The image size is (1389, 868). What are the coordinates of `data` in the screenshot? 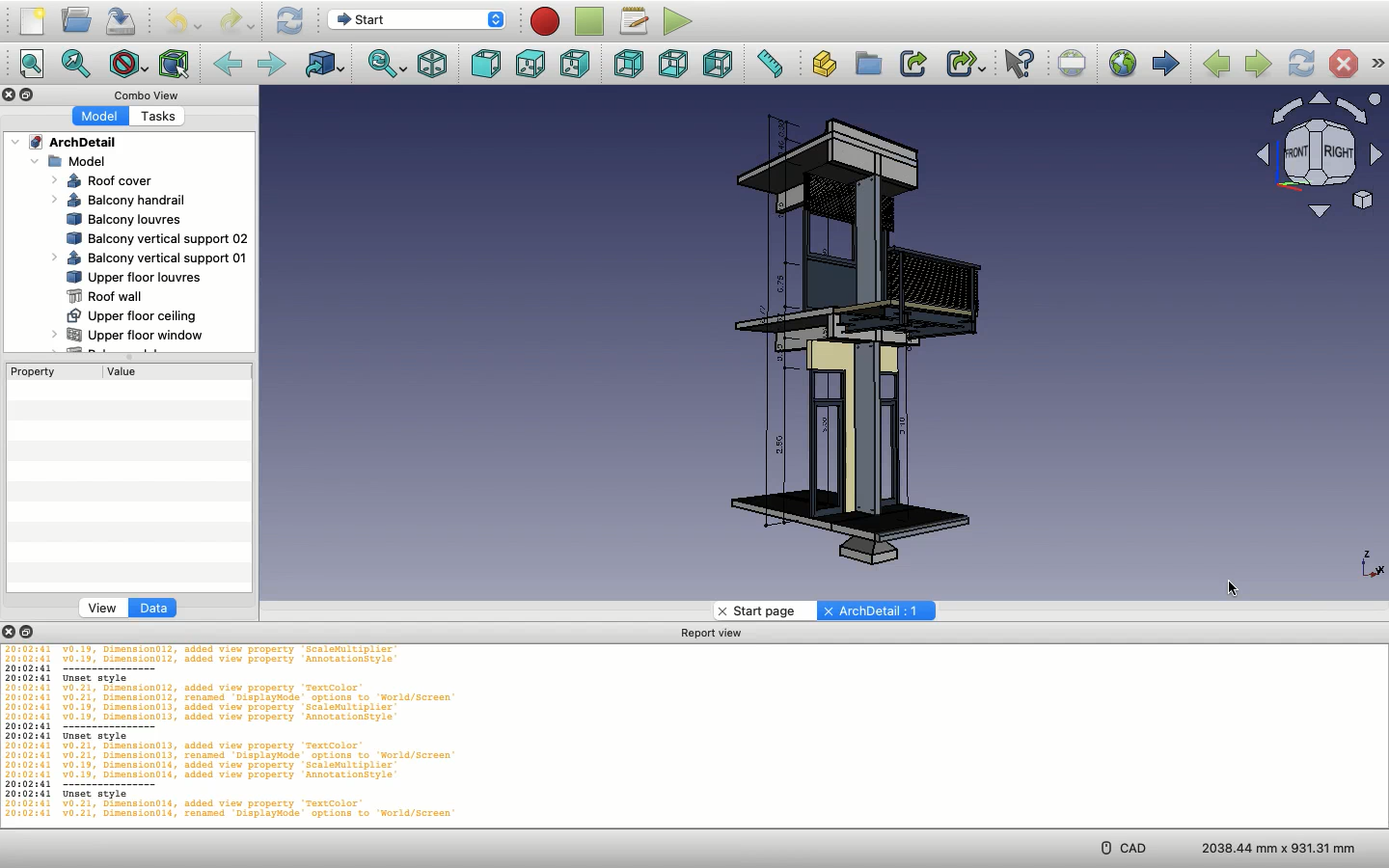 It's located at (153, 609).